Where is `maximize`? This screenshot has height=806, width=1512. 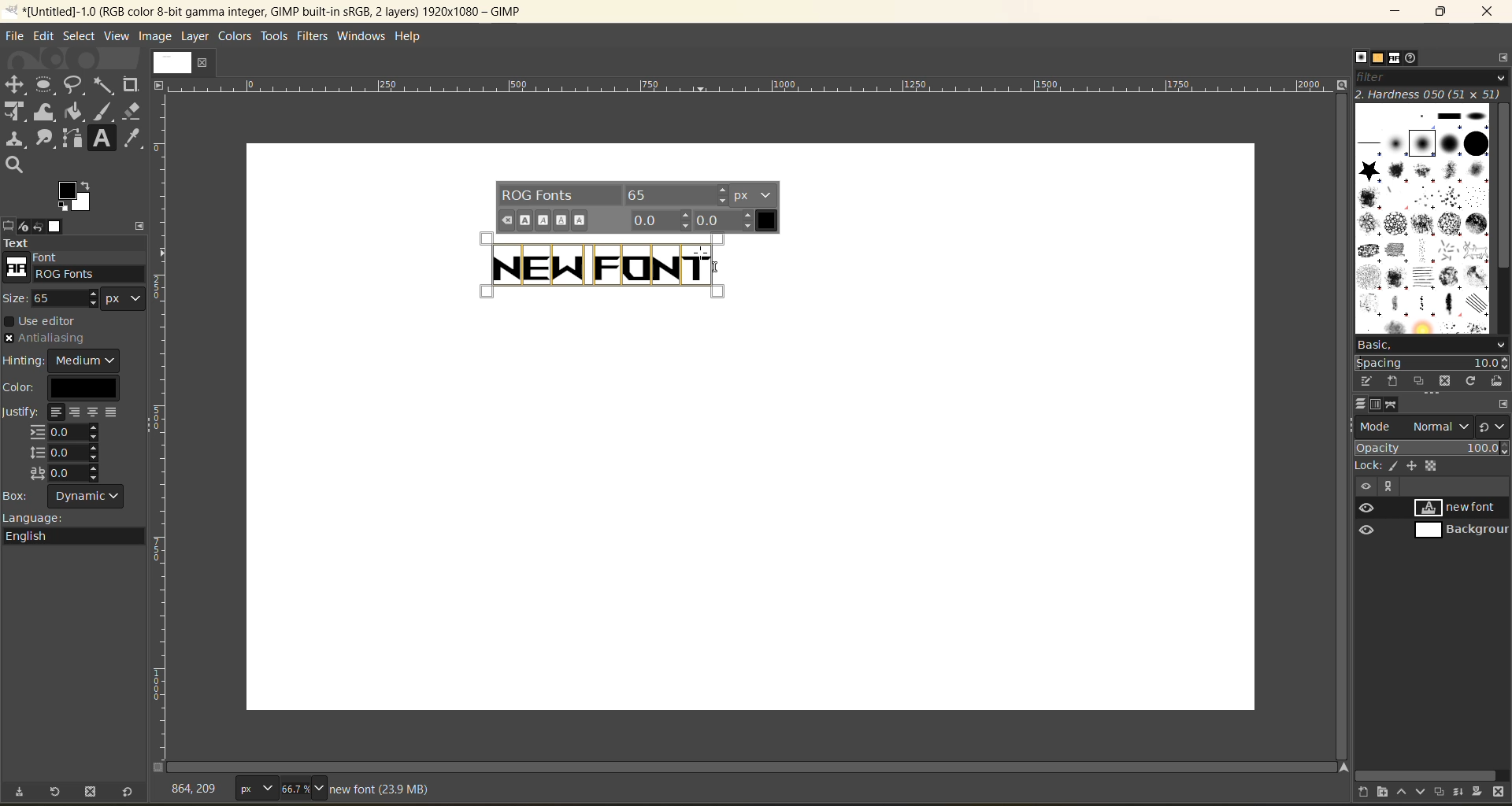 maximize is located at coordinates (1446, 12).